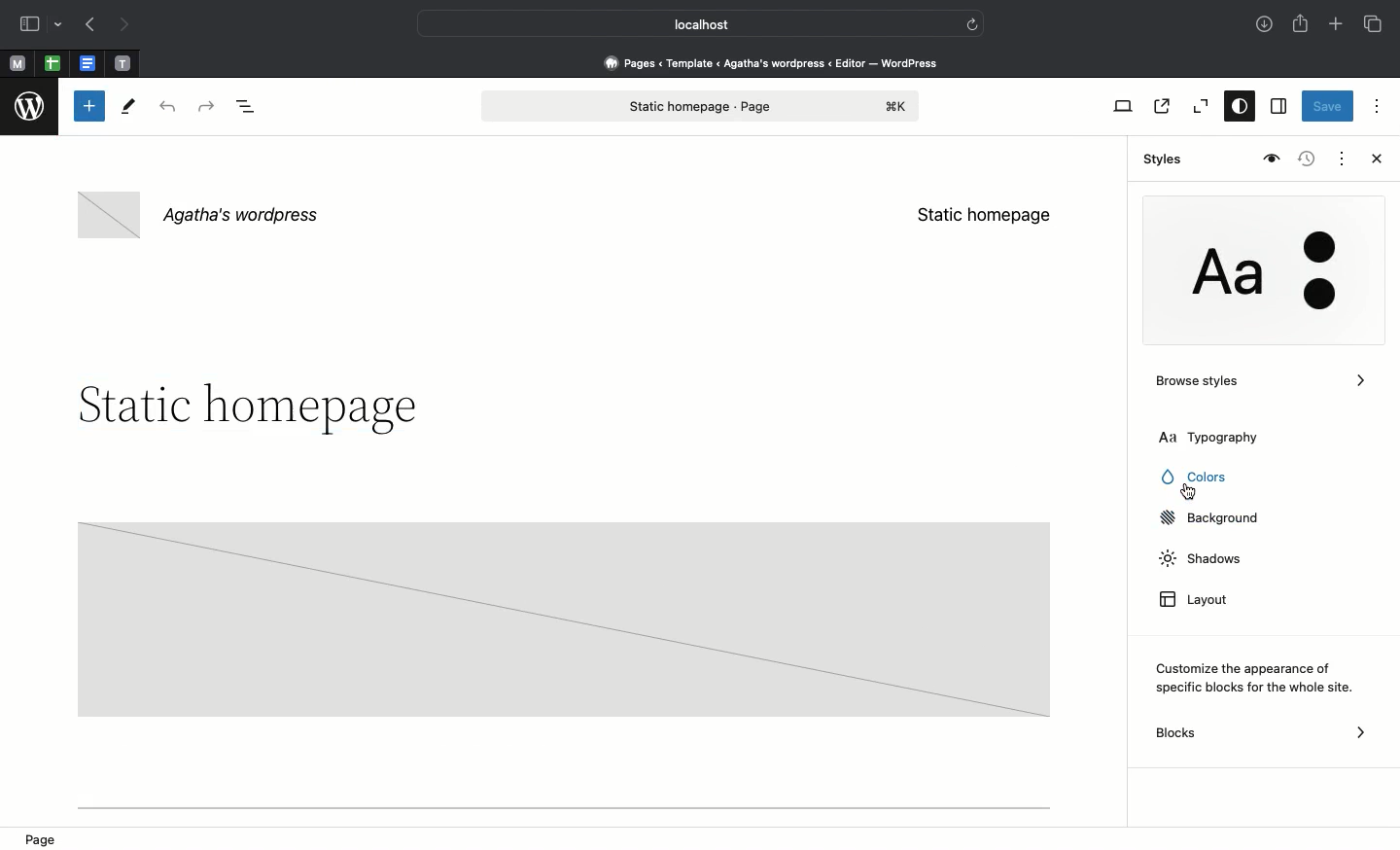 The height and width of the screenshot is (850, 1400). Describe the element at coordinates (562, 618) in the screenshot. I see `Block` at that location.